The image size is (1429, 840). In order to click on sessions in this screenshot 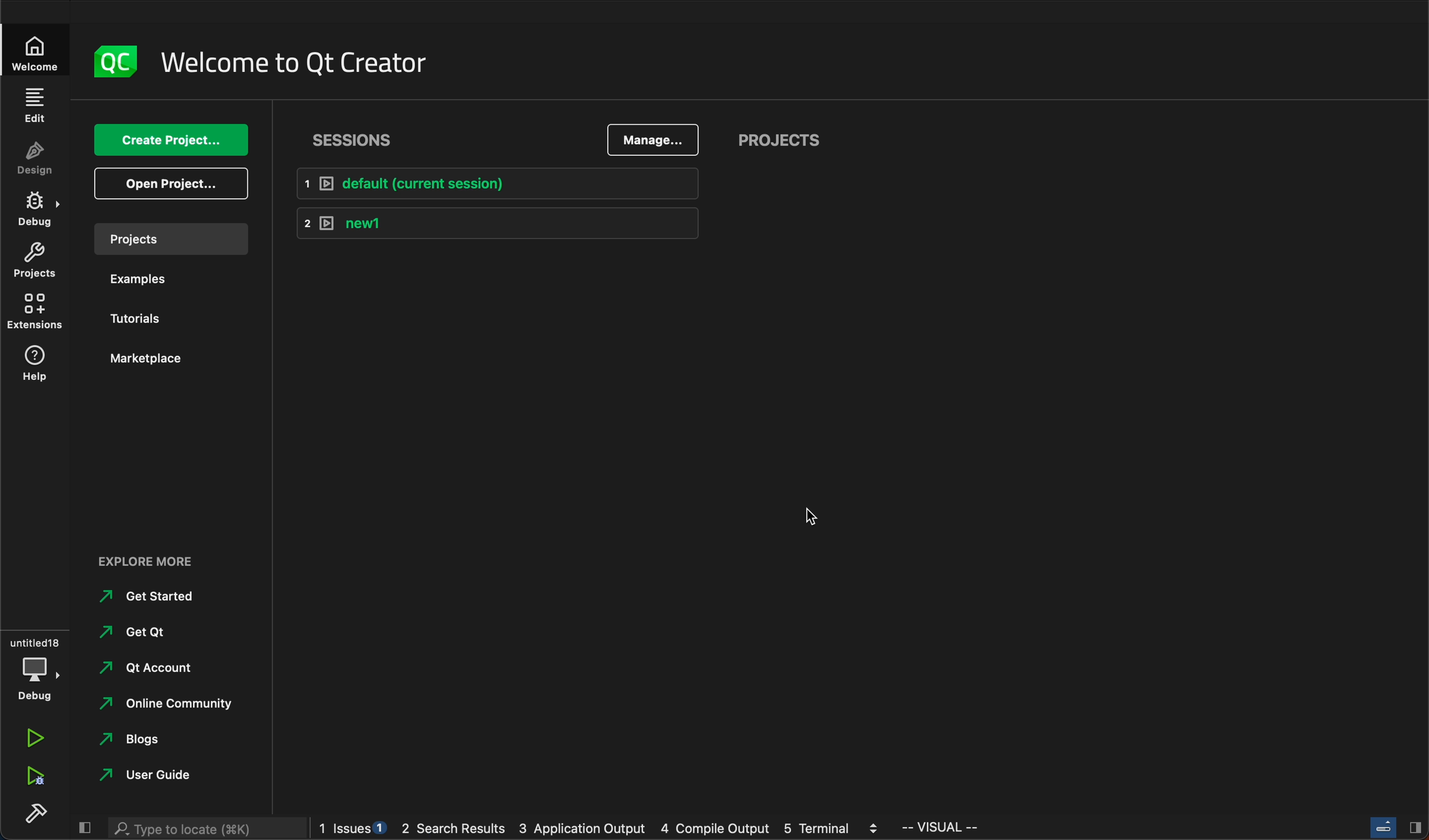, I will do `click(346, 137)`.